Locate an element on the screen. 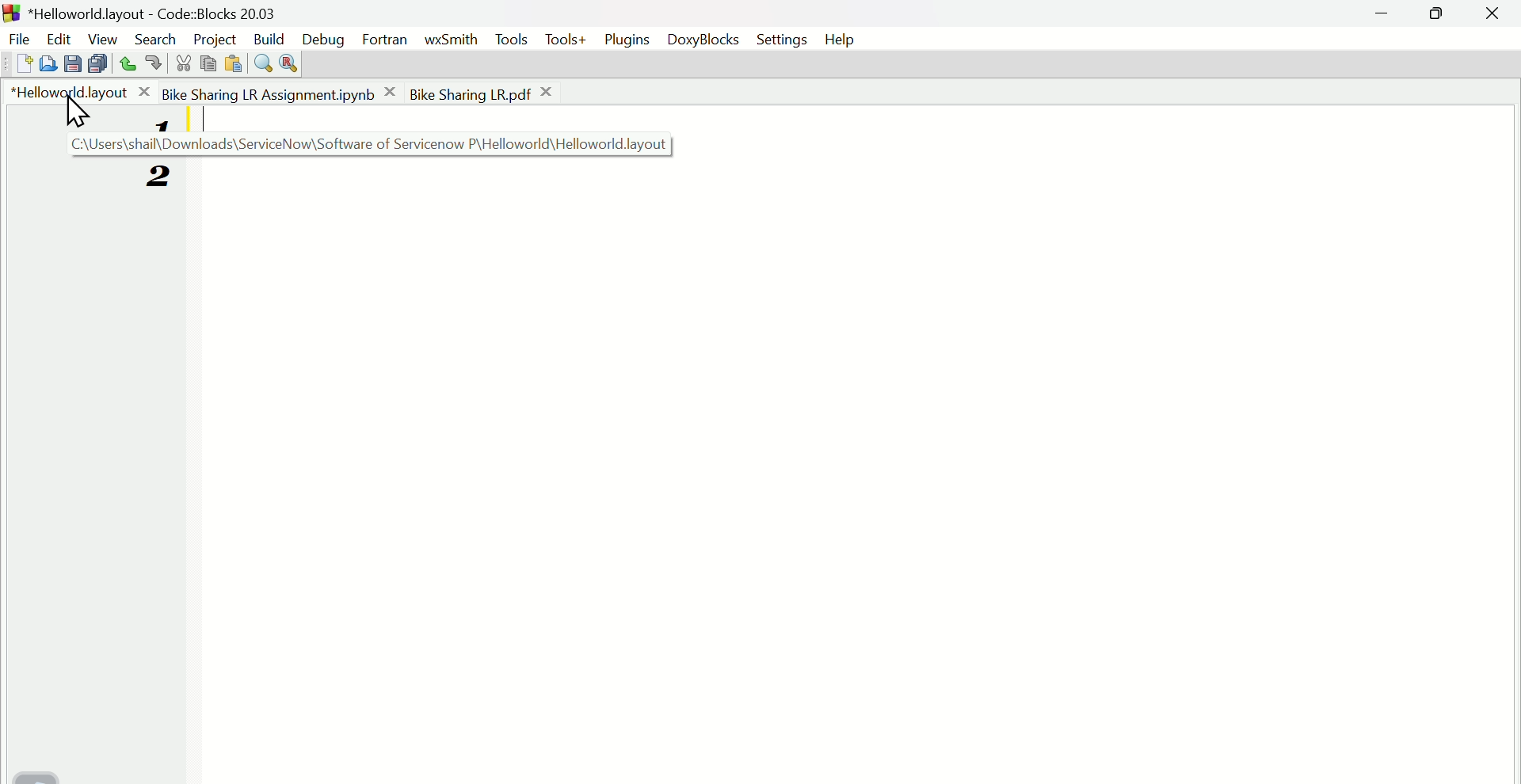 This screenshot has width=1521, height=784. Save all is located at coordinates (96, 63).